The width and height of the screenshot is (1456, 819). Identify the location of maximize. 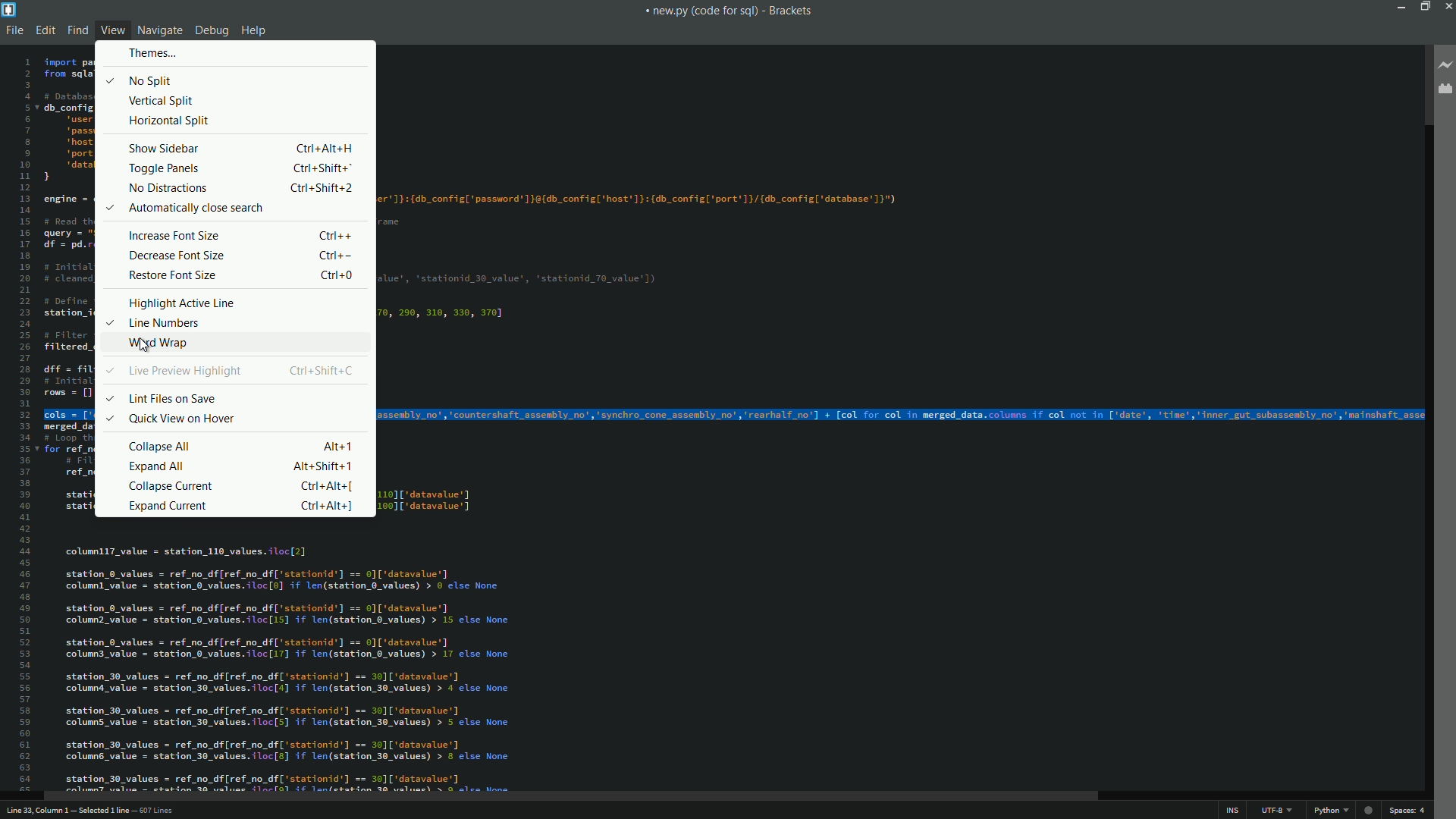
(1422, 6).